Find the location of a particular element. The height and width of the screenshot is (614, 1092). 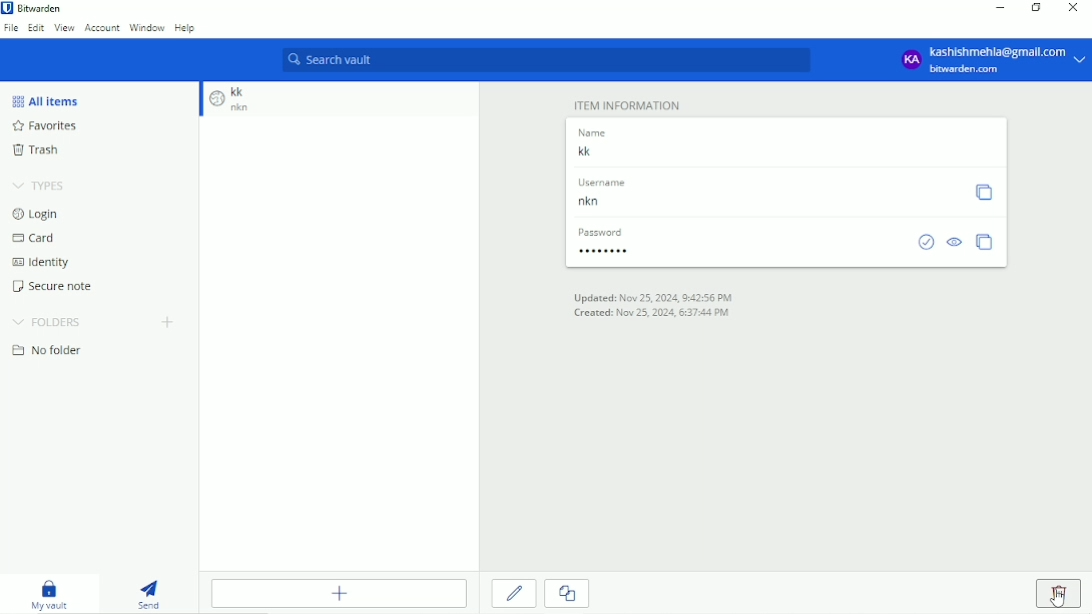

Window is located at coordinates (147, 28).